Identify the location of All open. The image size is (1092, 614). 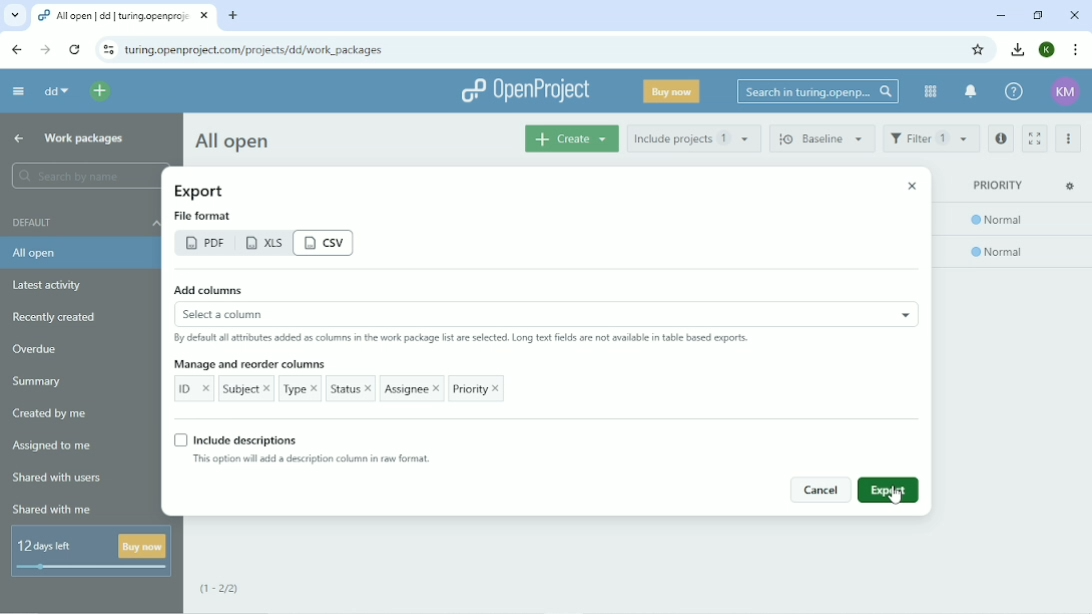
(235, 141).